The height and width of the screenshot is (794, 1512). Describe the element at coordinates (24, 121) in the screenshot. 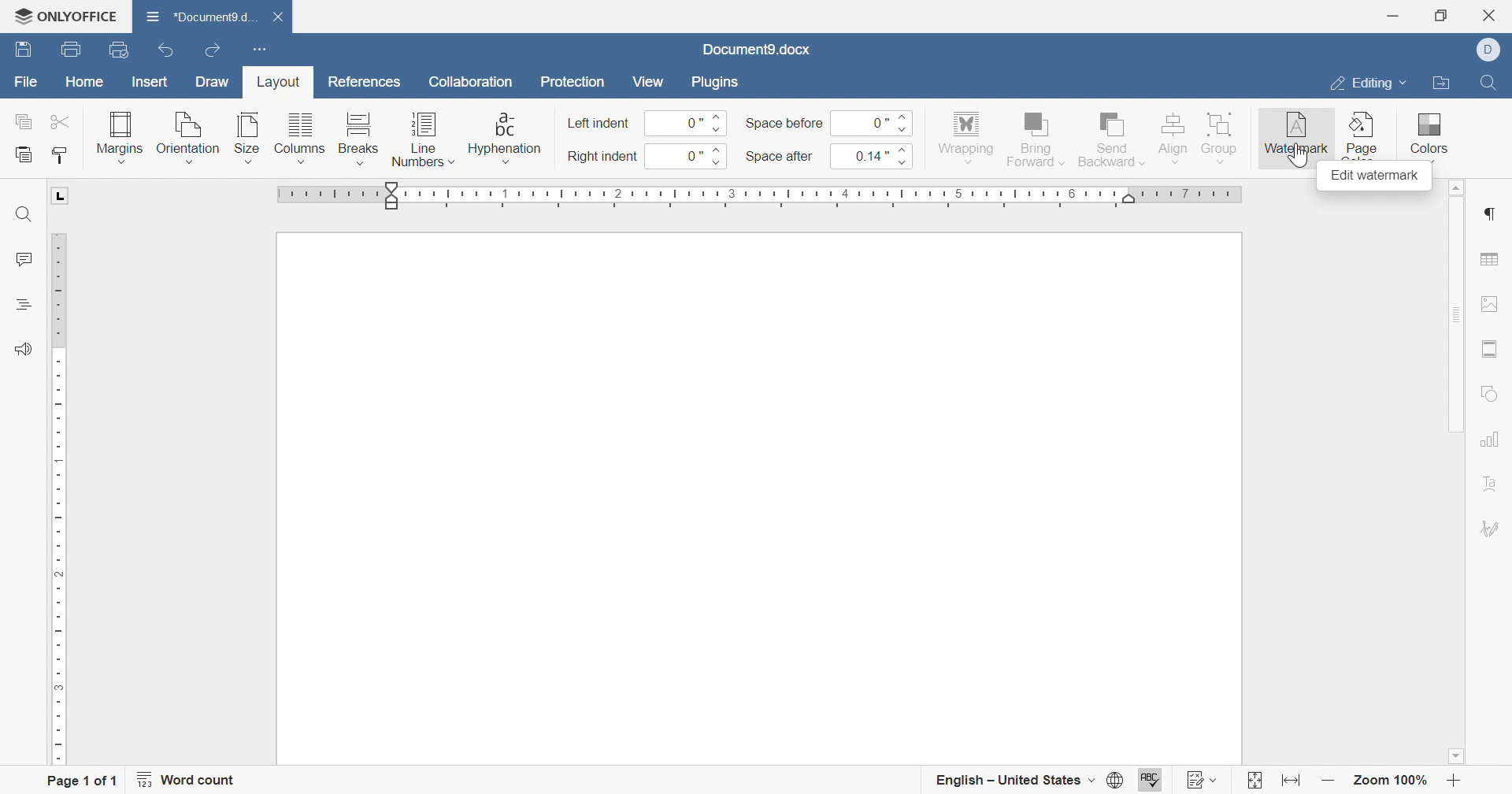

I see `copy` at that location.